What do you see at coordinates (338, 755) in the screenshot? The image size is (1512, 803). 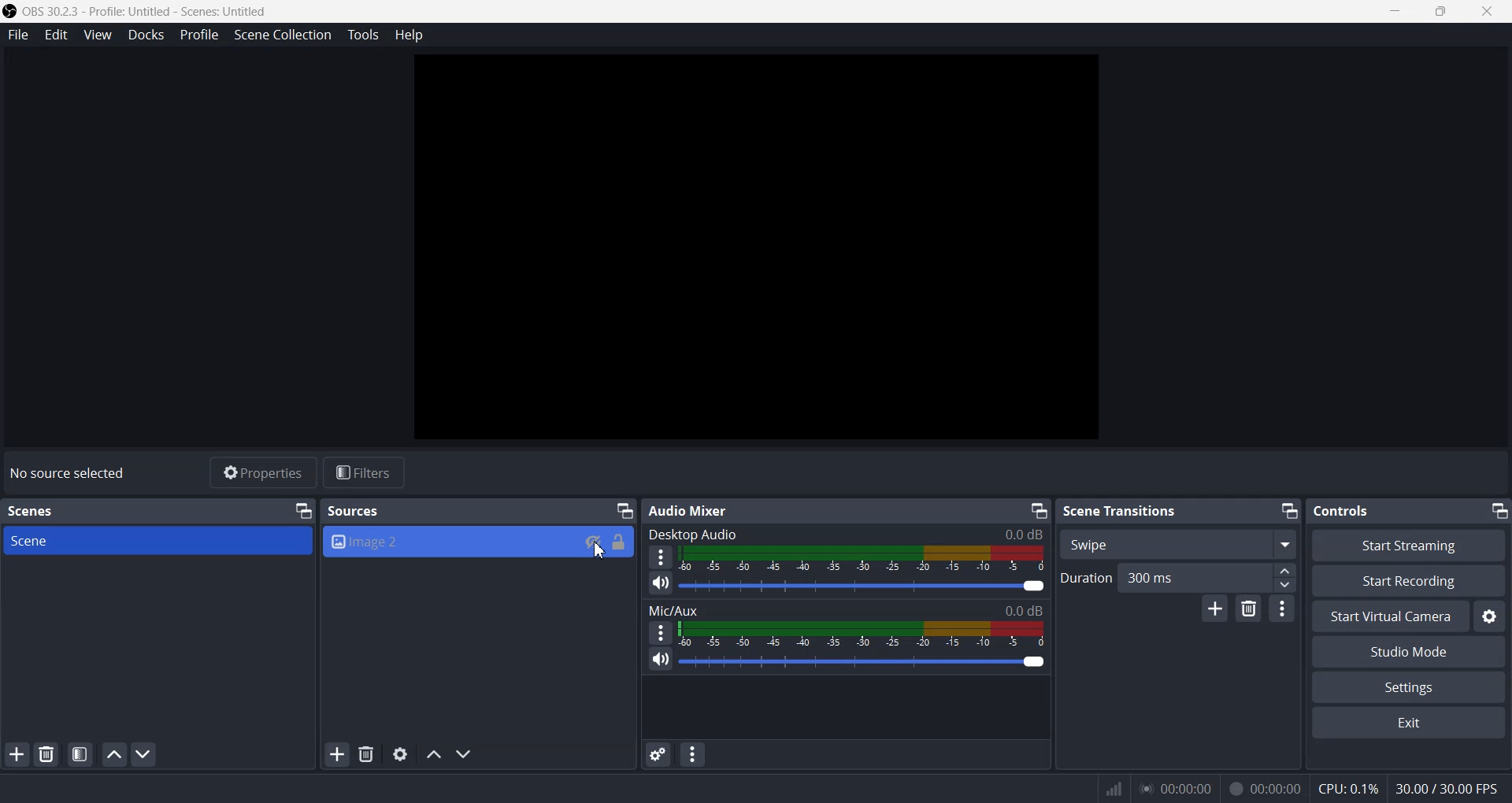 I see `Add Sources` at bounding box center [338, 755].